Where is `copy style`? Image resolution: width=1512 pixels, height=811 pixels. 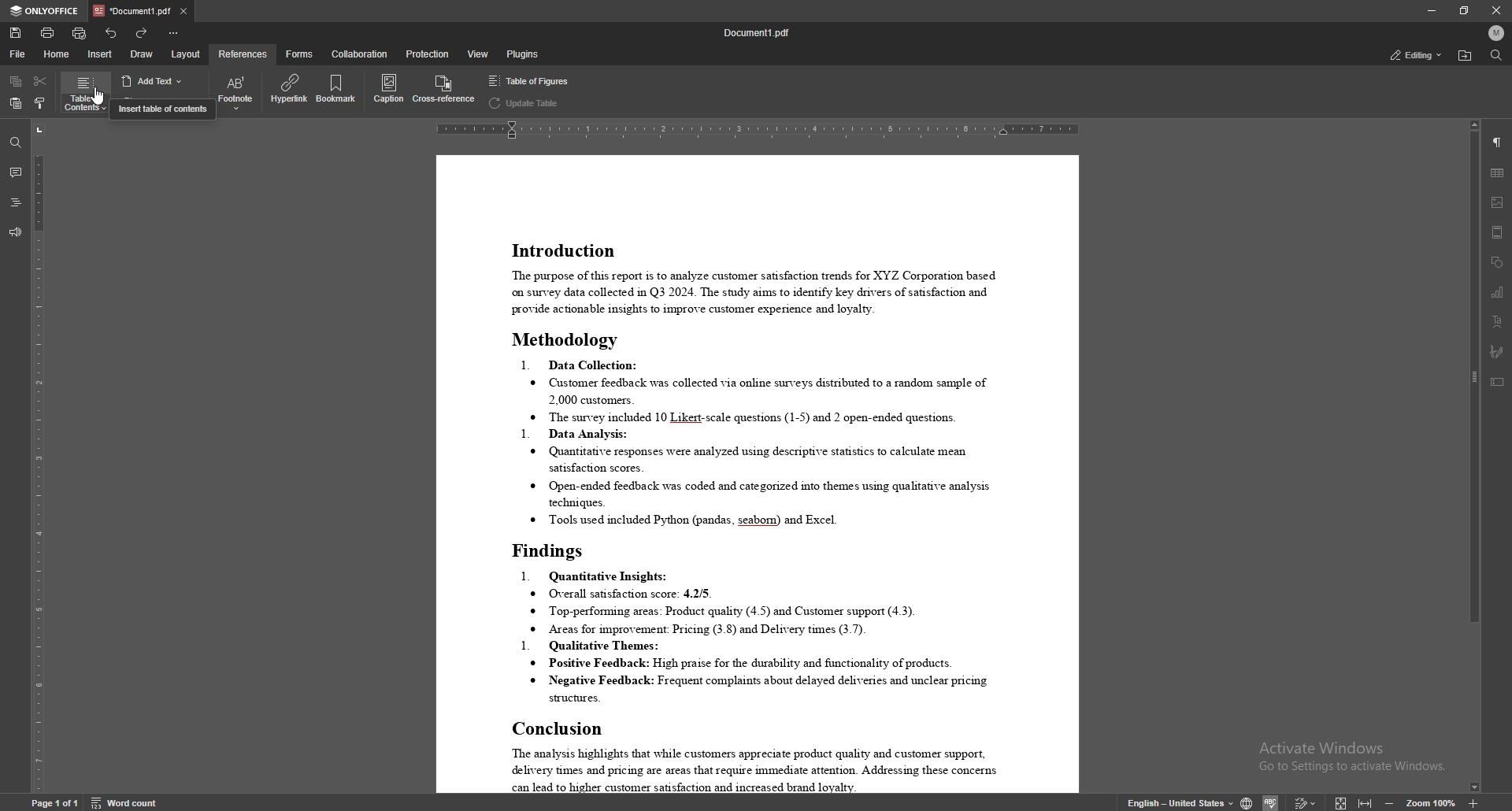 copy style is located at coordinates (42, 105).